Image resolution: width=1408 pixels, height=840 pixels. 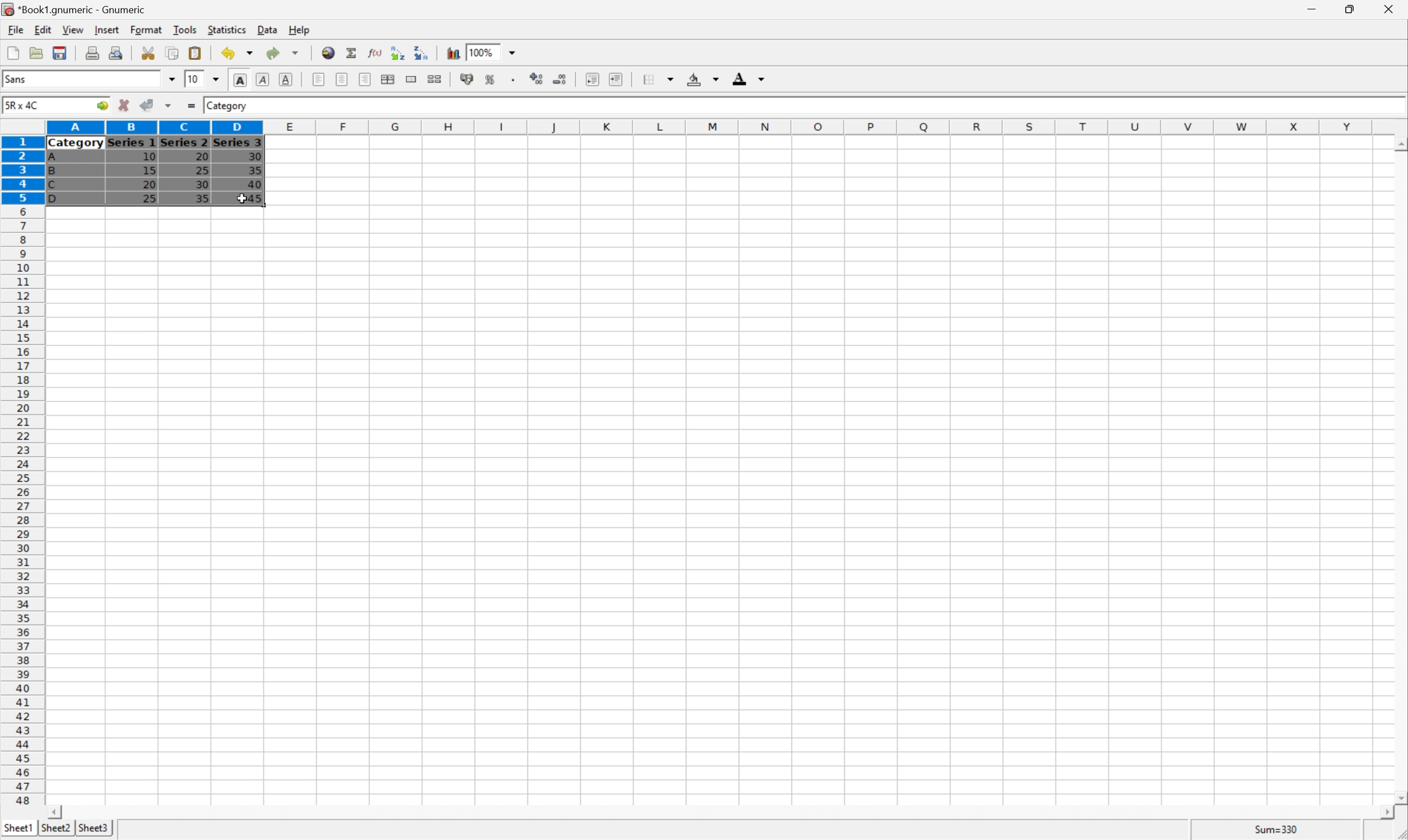 I want to click on Accept changes in multiple cells, so click(x=168, y=105).